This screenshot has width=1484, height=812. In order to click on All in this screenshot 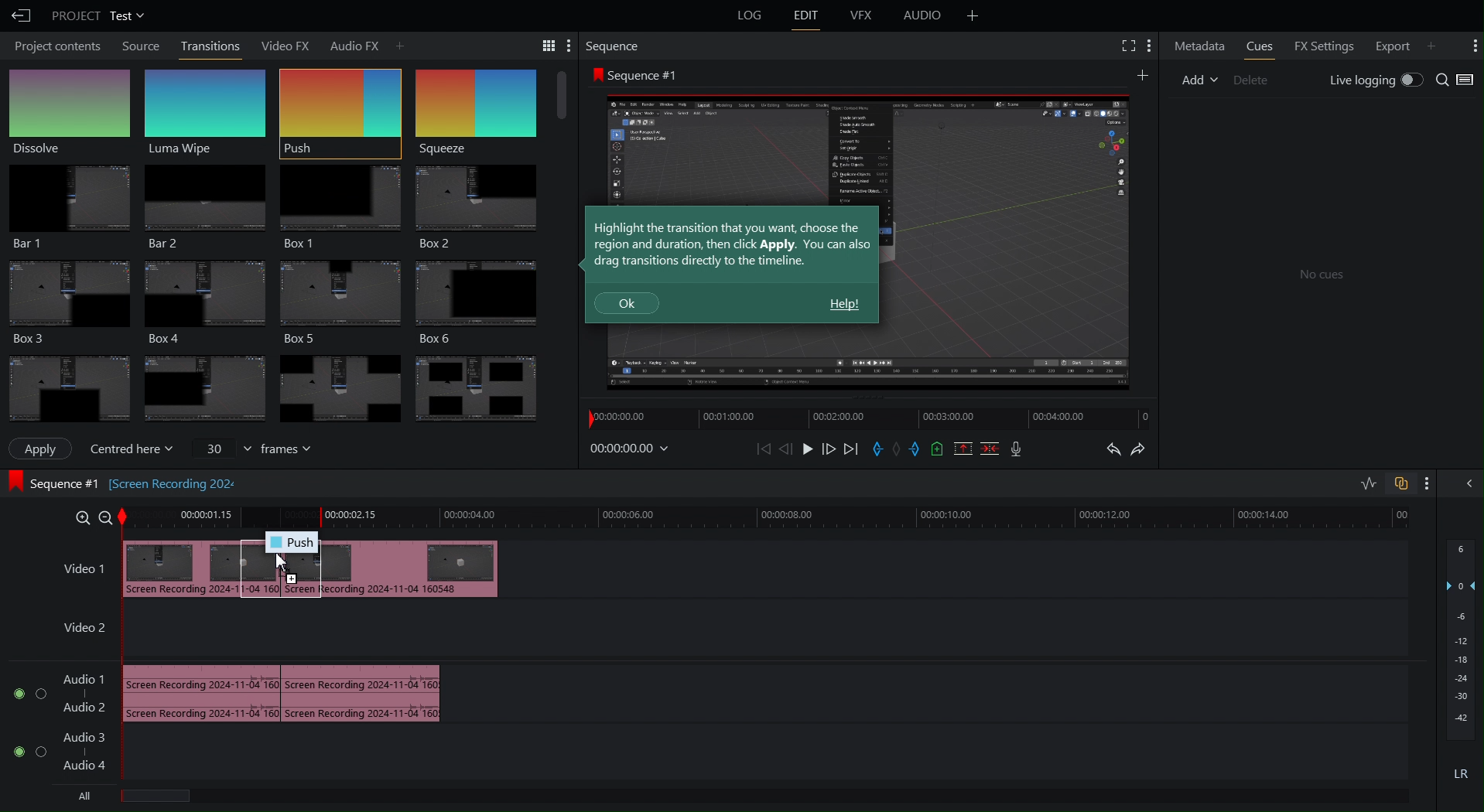, I will do `click(89, 798)`.